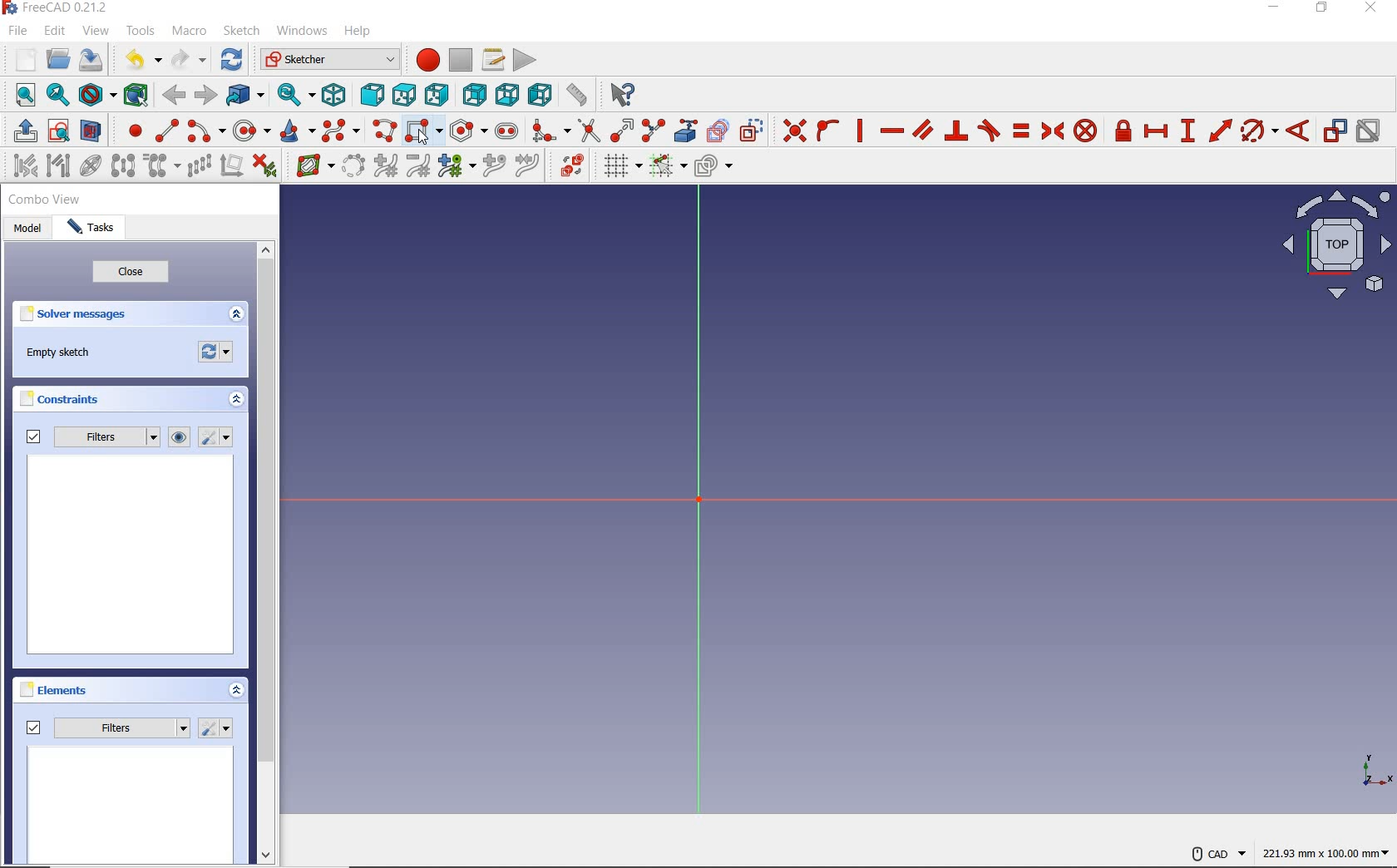  I want to click on constrain vertically, so click(861, 133).